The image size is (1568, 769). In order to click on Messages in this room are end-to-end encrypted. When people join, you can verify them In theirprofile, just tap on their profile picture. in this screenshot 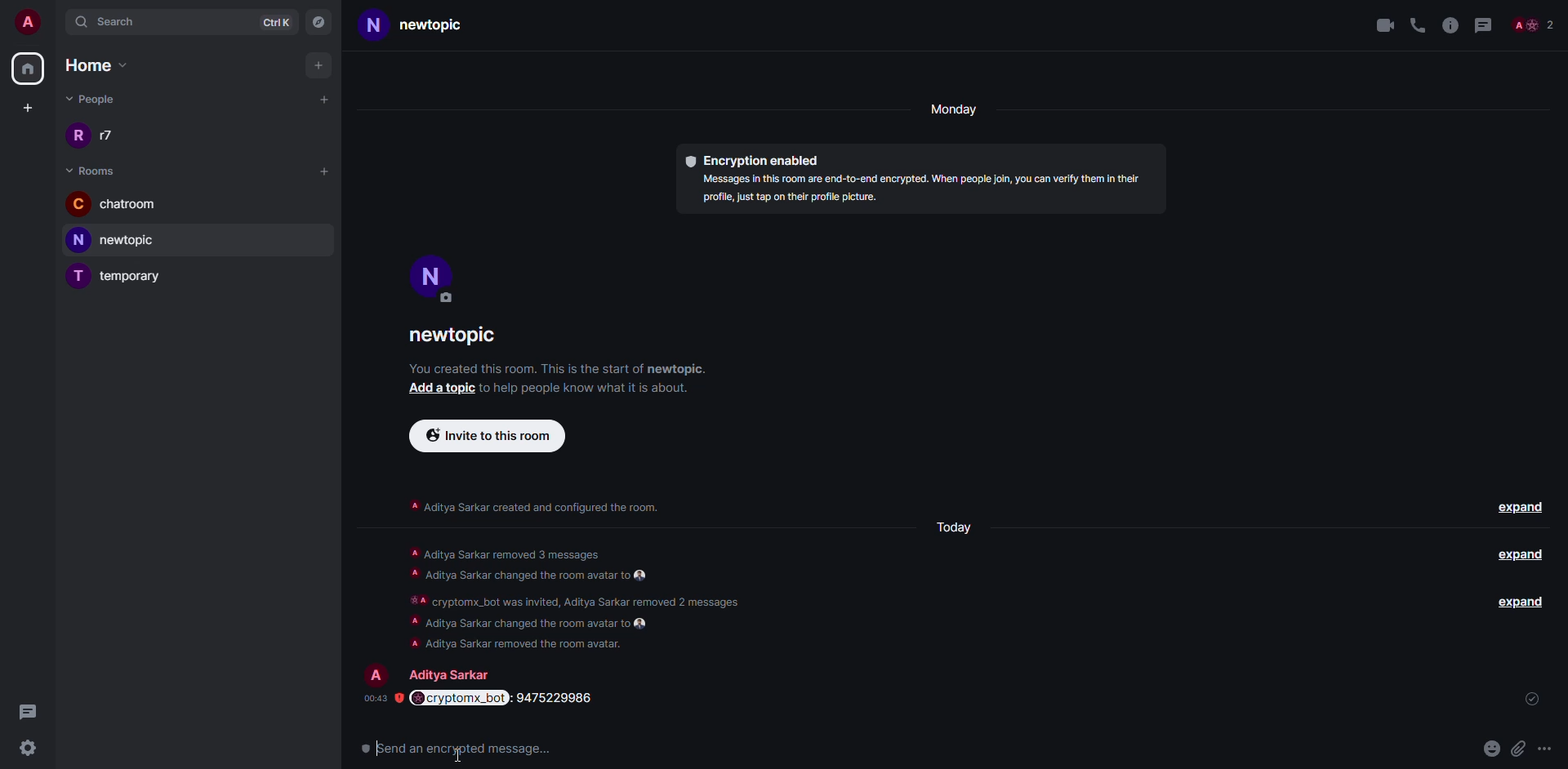, I will do `click(924, 193)`.